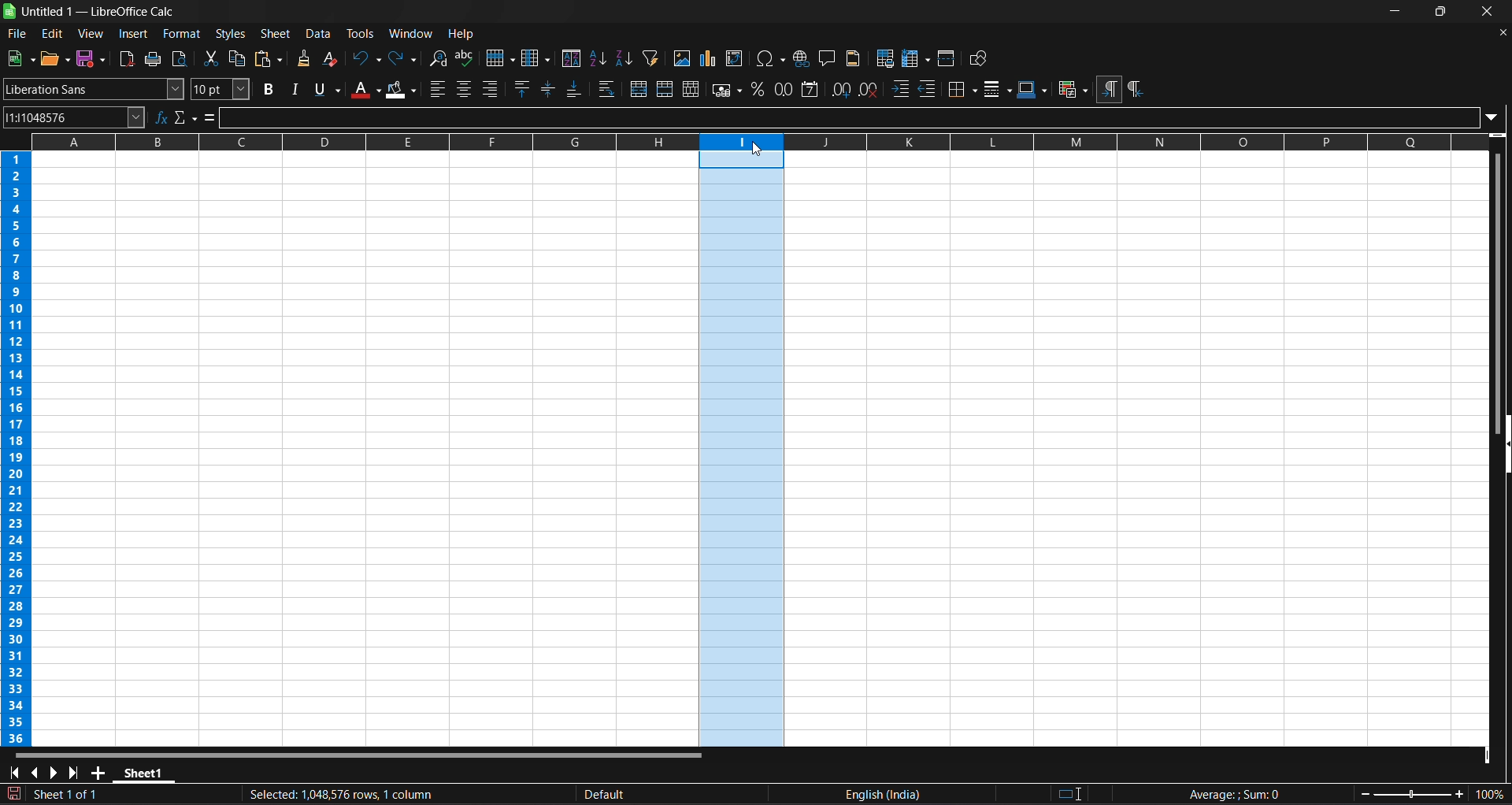  Describe the element at coordinates (771, 58) in the screenshot. I see `insert special characters` at that location.